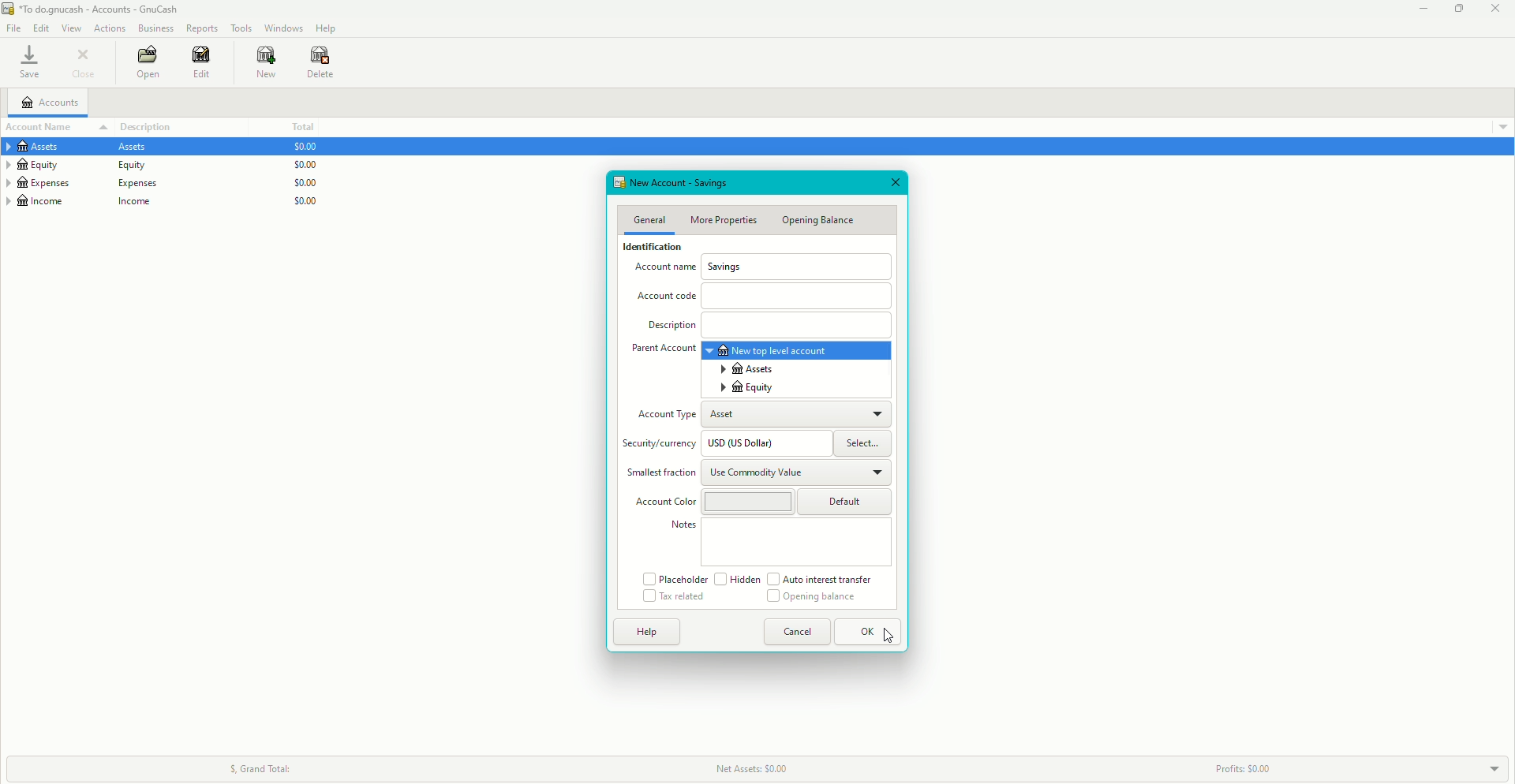  I want to click on Smallest fraction, so click(657, 473).